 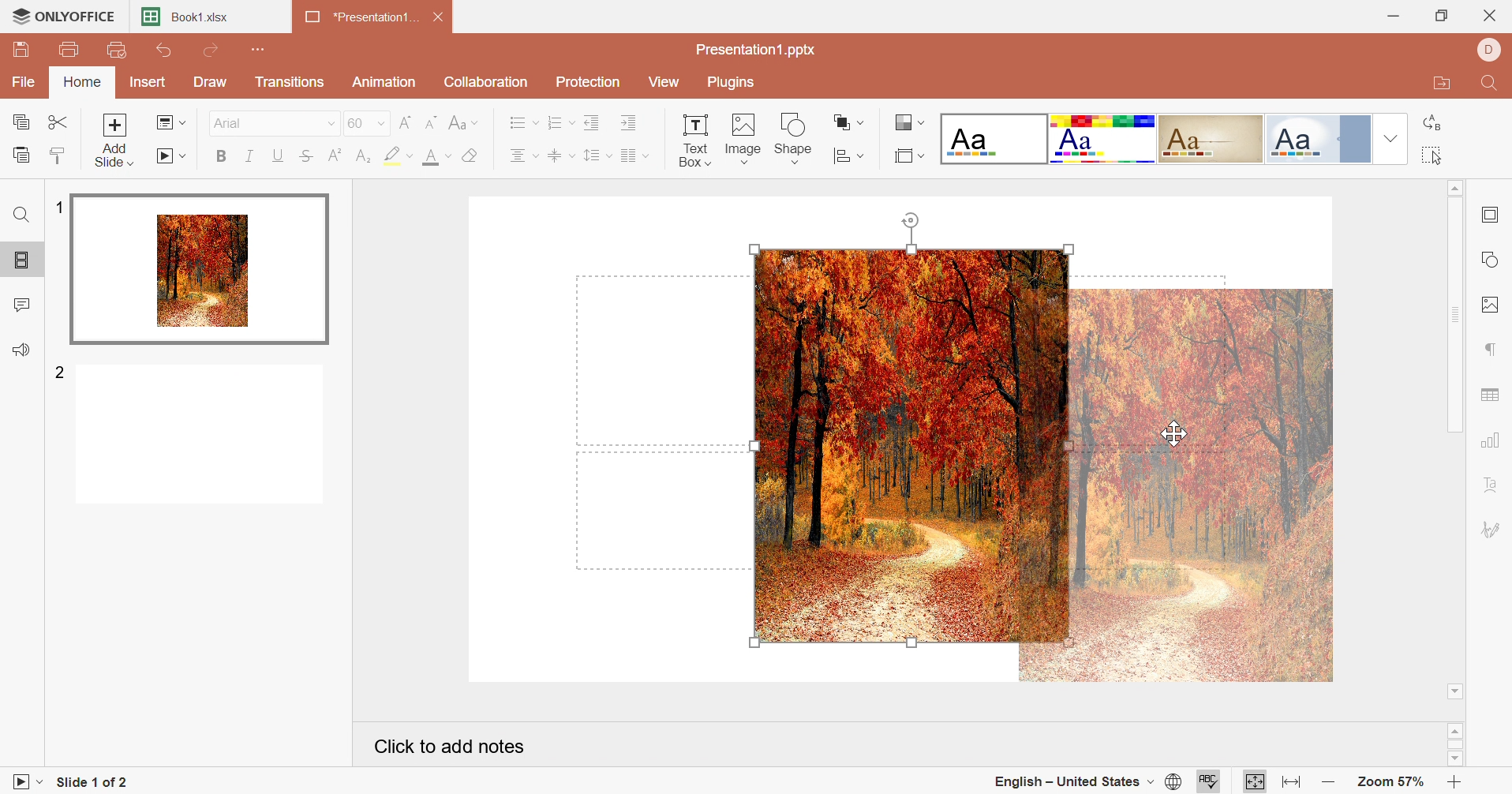 I want to click on Paste, so click(x=23, y=154).